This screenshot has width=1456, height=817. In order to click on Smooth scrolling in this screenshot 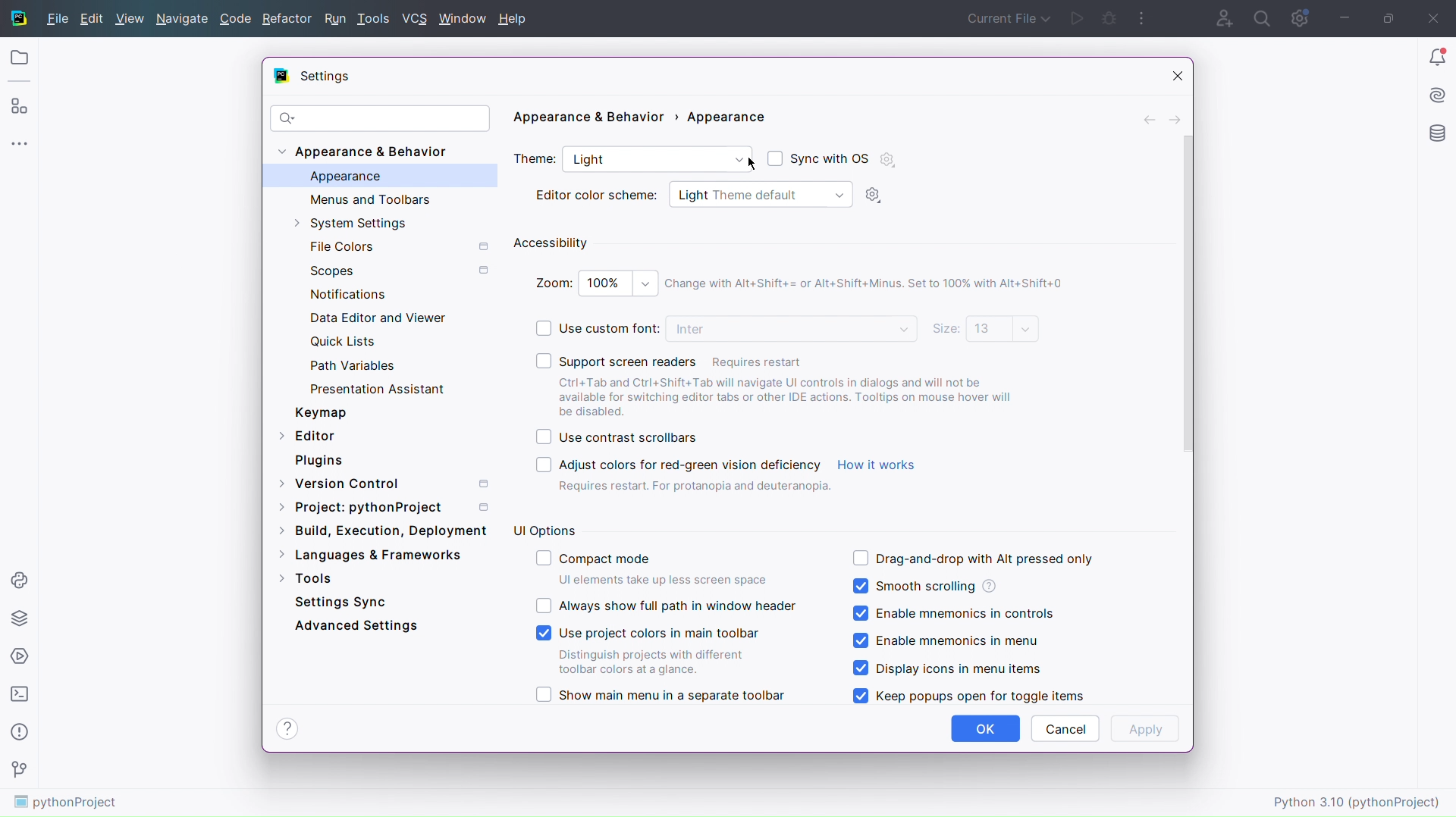, I will do `click(924, 585)`.